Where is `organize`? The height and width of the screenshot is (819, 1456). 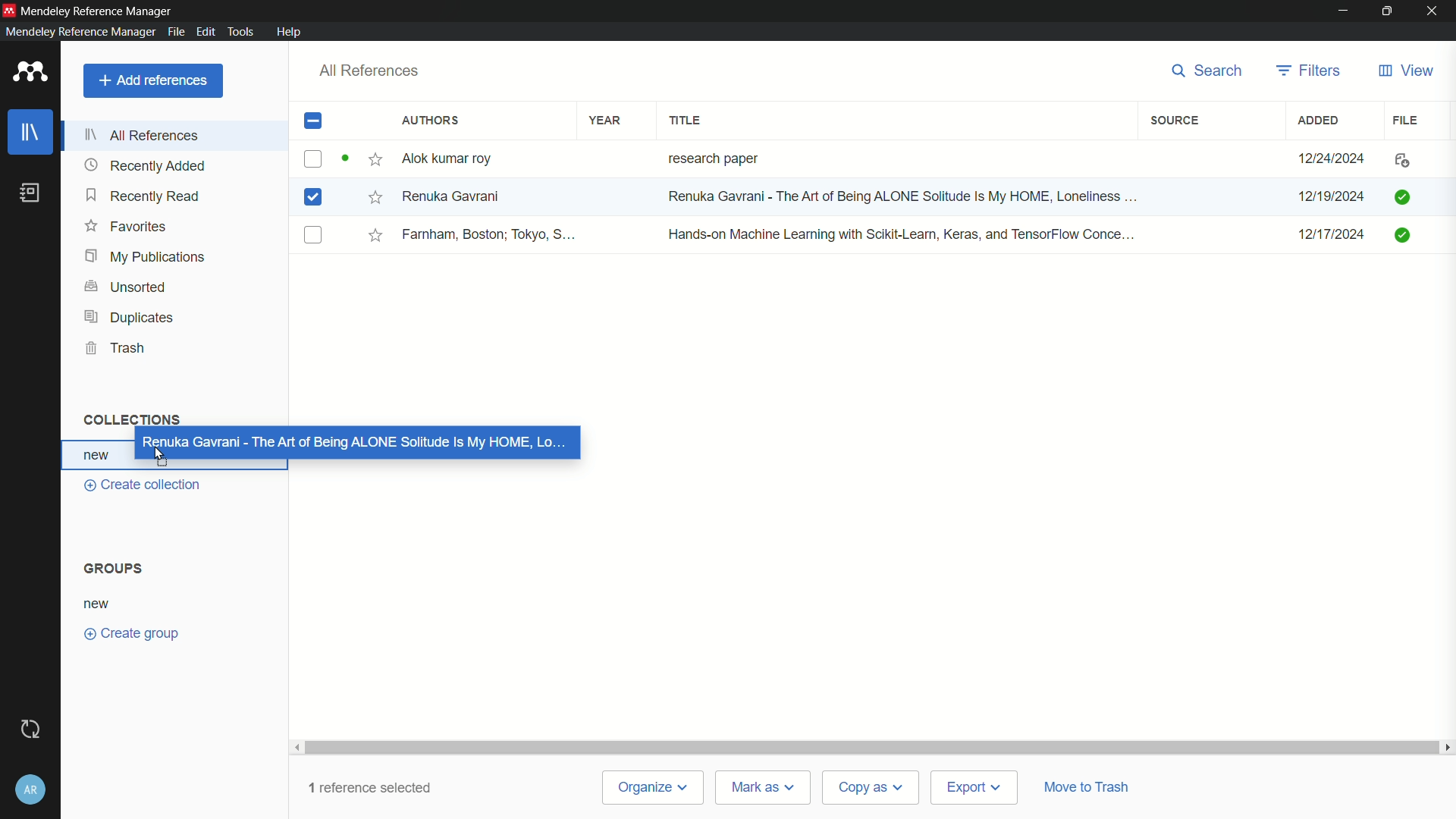 organize is located at coordinates (654, 788).